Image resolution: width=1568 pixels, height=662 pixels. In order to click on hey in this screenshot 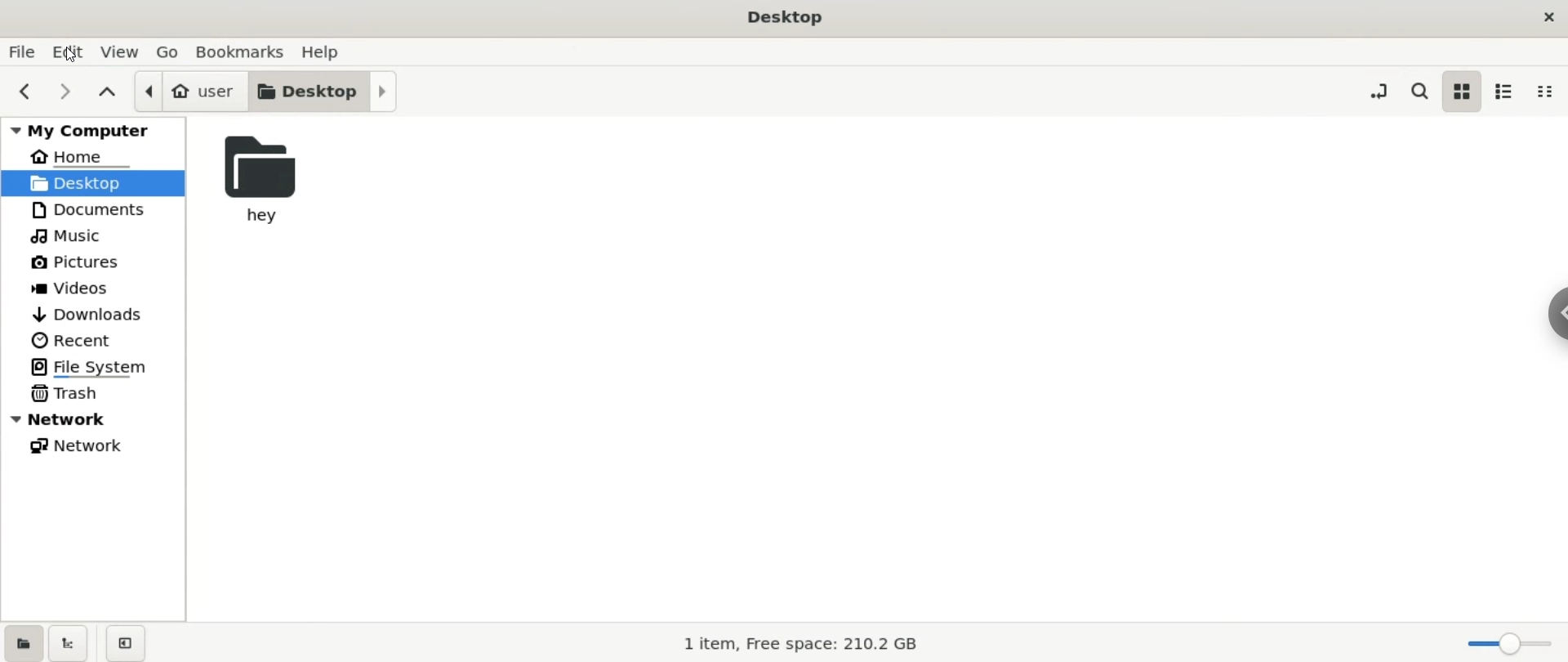, I will do `click(258, 183)`.